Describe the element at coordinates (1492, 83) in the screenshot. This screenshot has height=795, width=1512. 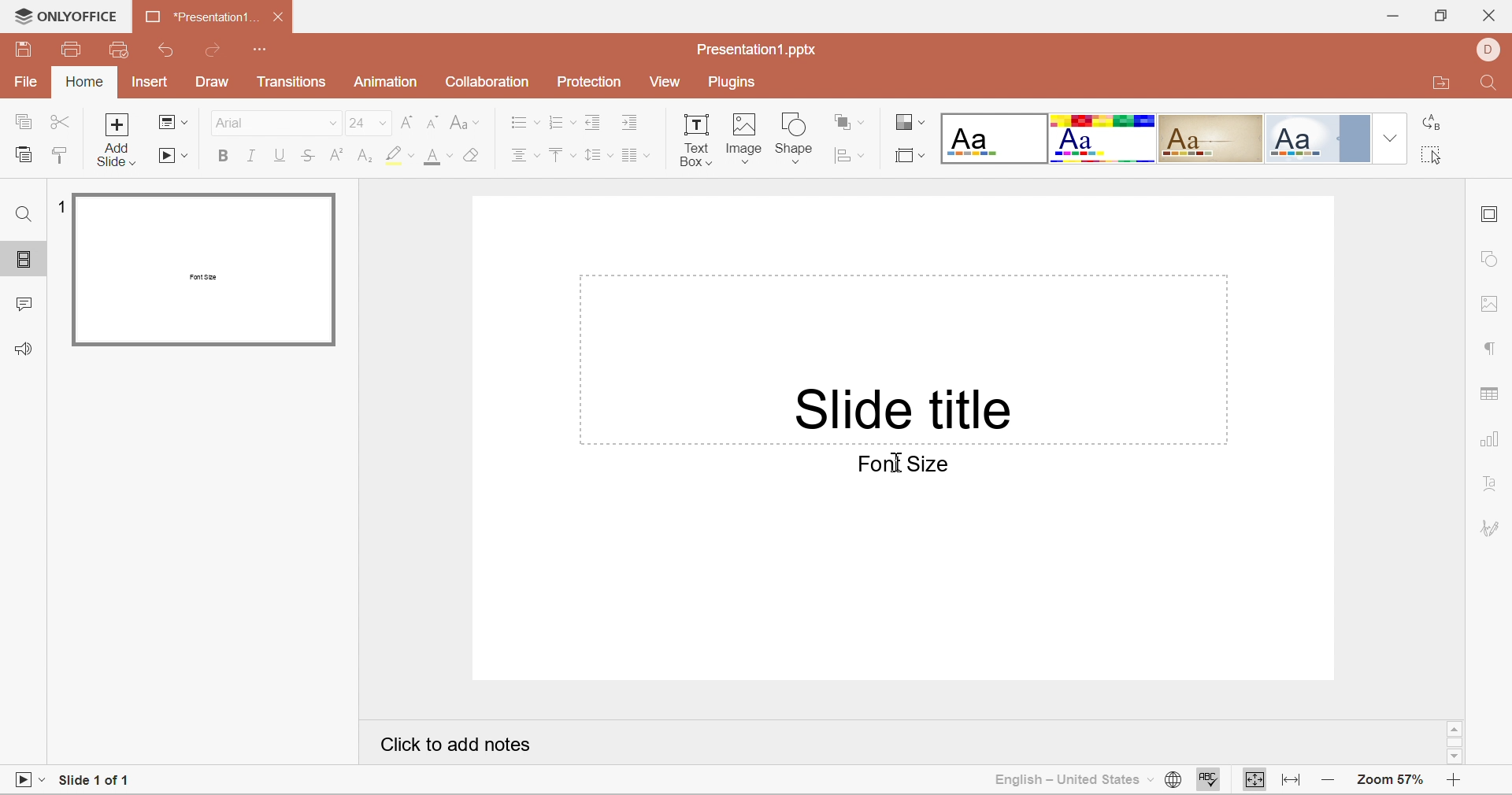
I see `Find` at that location.